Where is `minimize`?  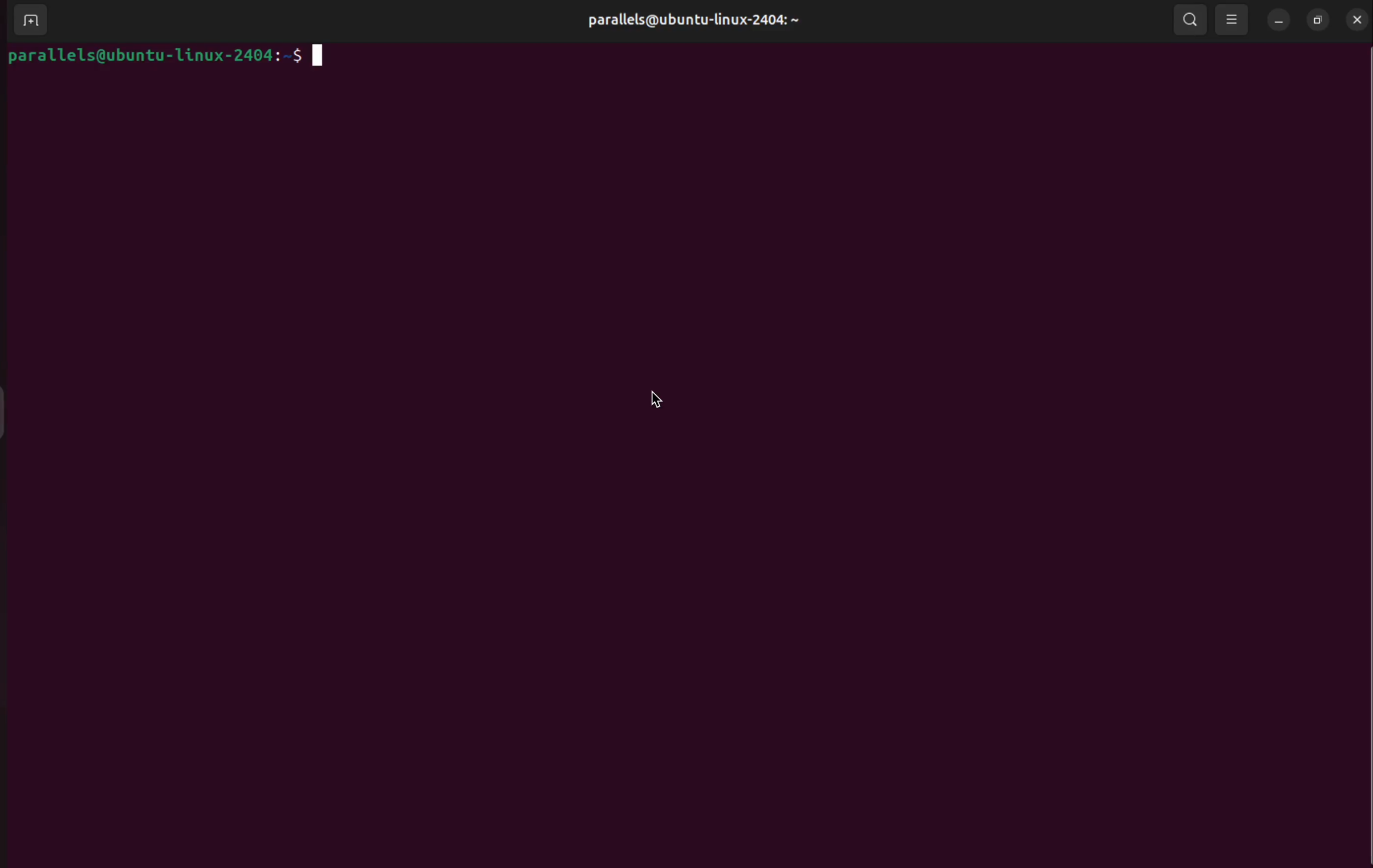
minimize is located at coordinates (1278, 21).